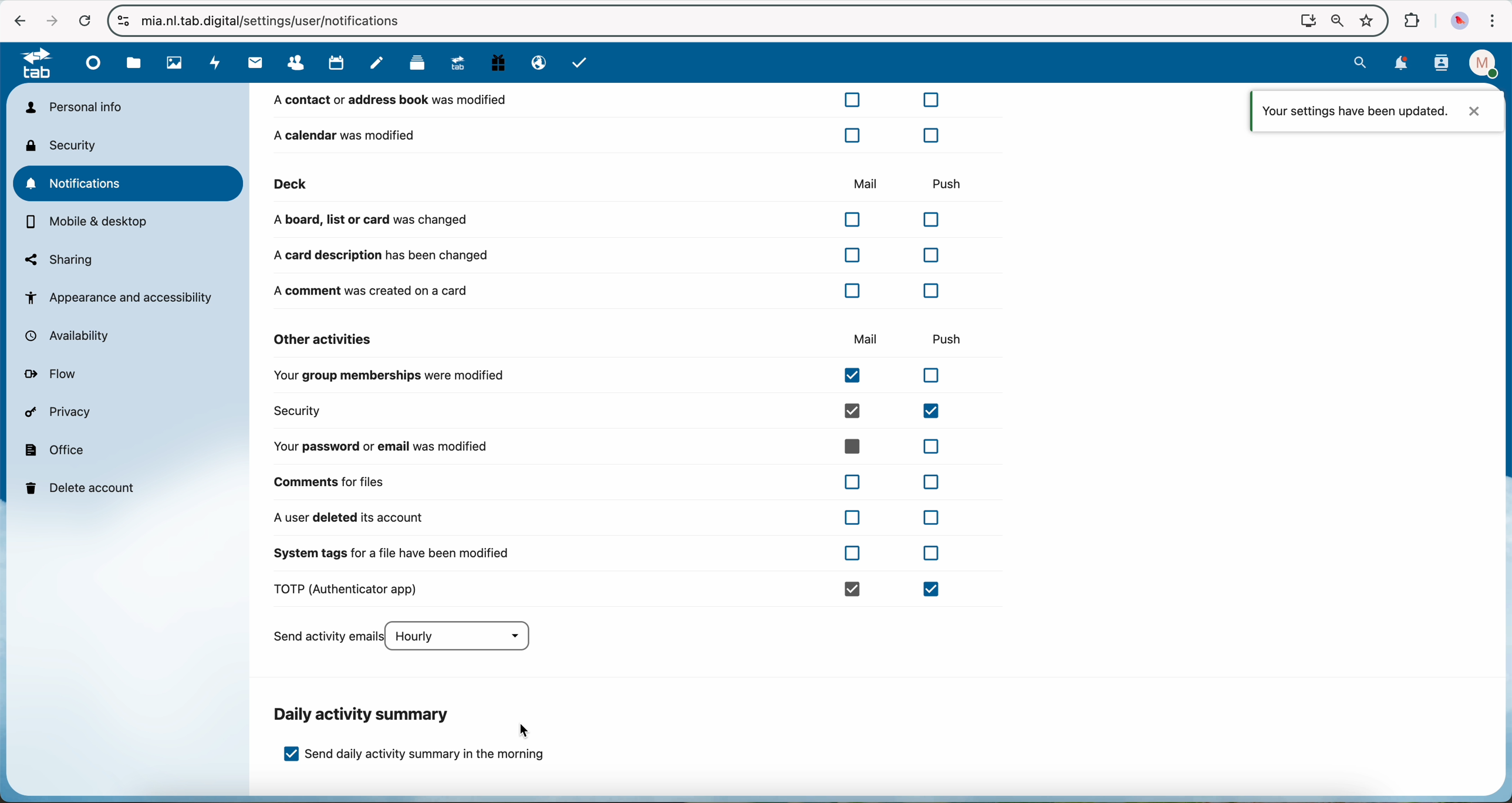  I want to click on deck, so click(417, 66).